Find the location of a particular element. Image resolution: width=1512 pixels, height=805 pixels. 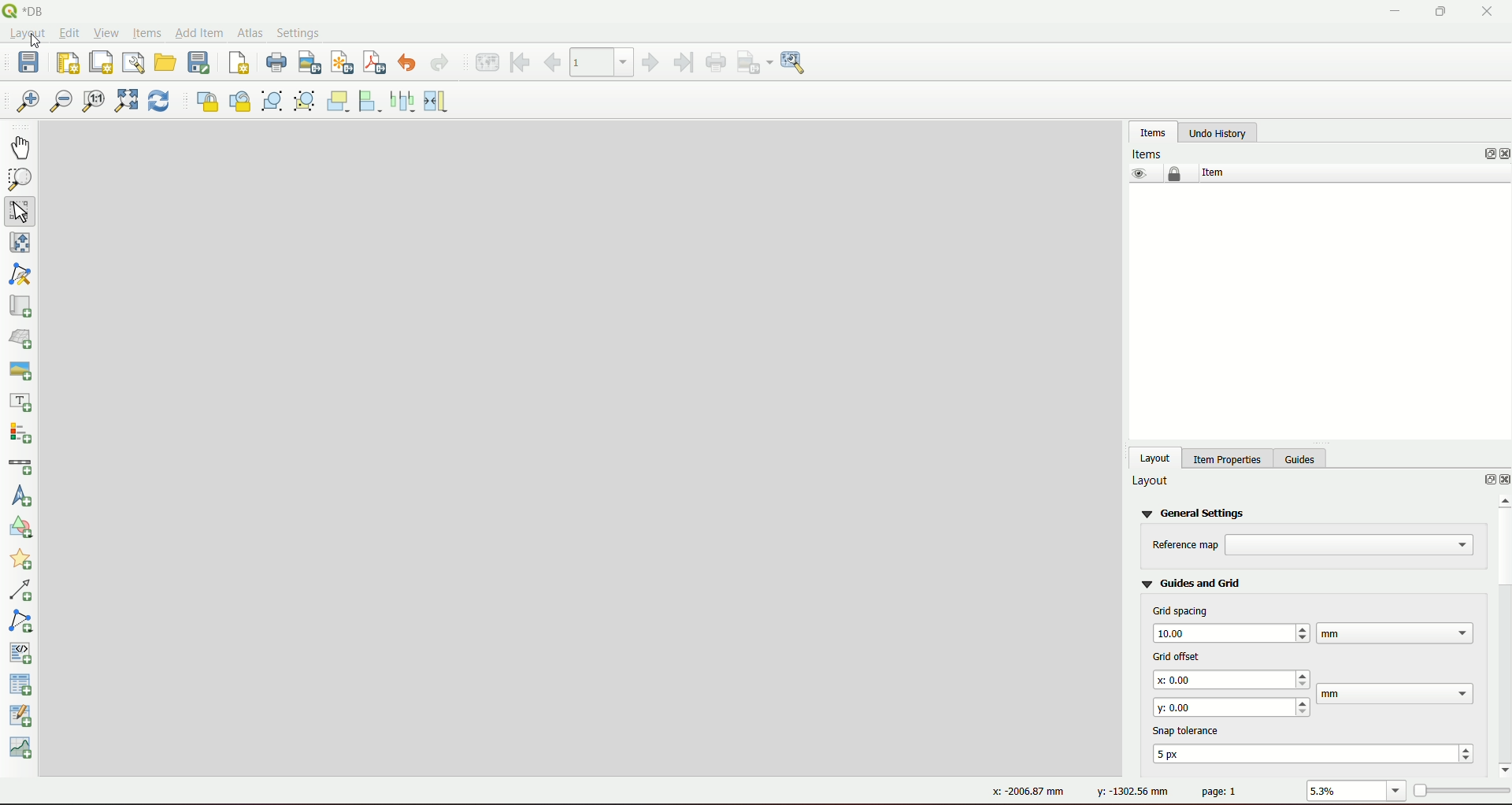

item is located at coordinates (1211, 172).